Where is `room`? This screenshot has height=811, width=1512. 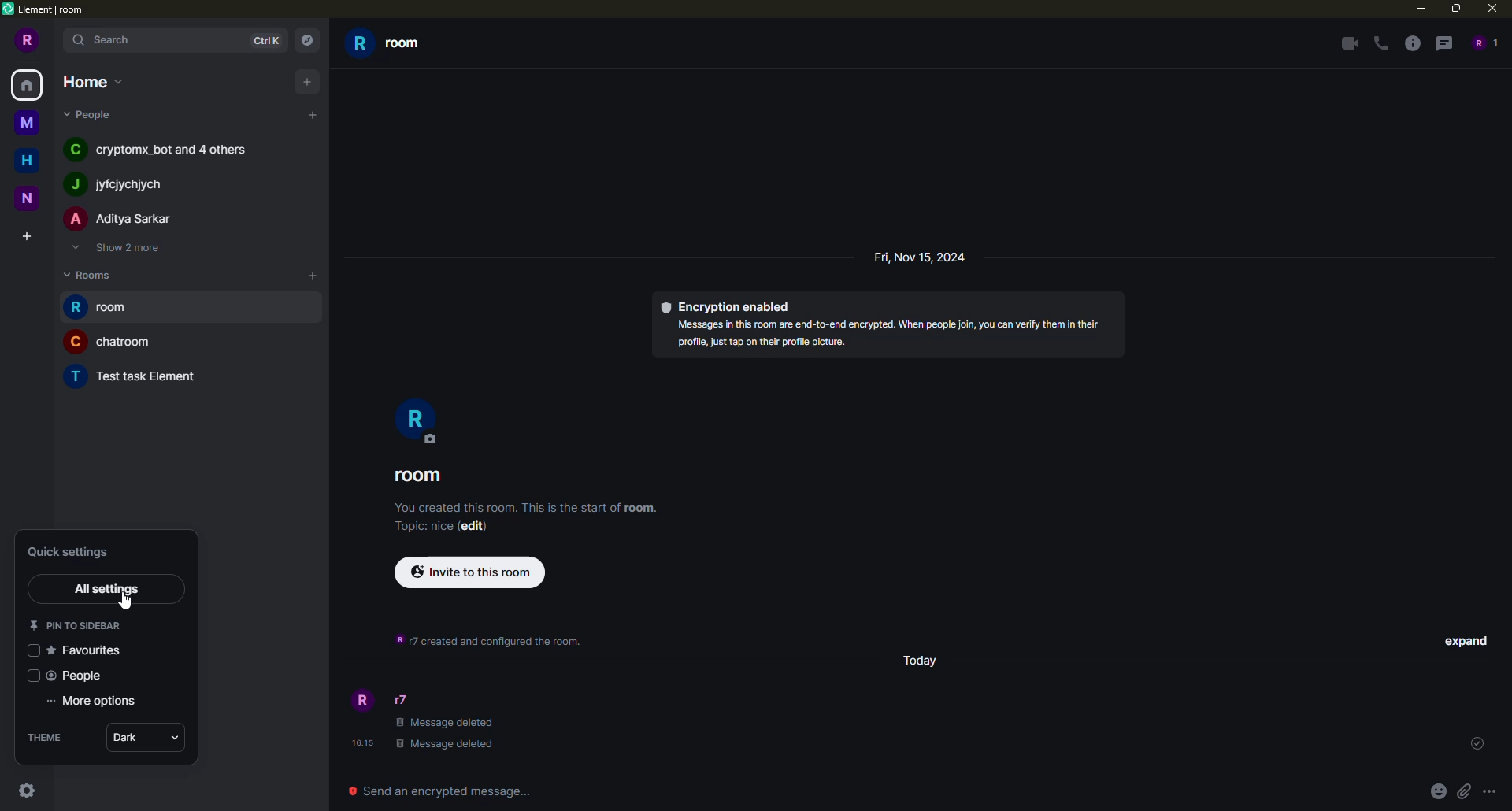
room is located at coordinates (387, 43).